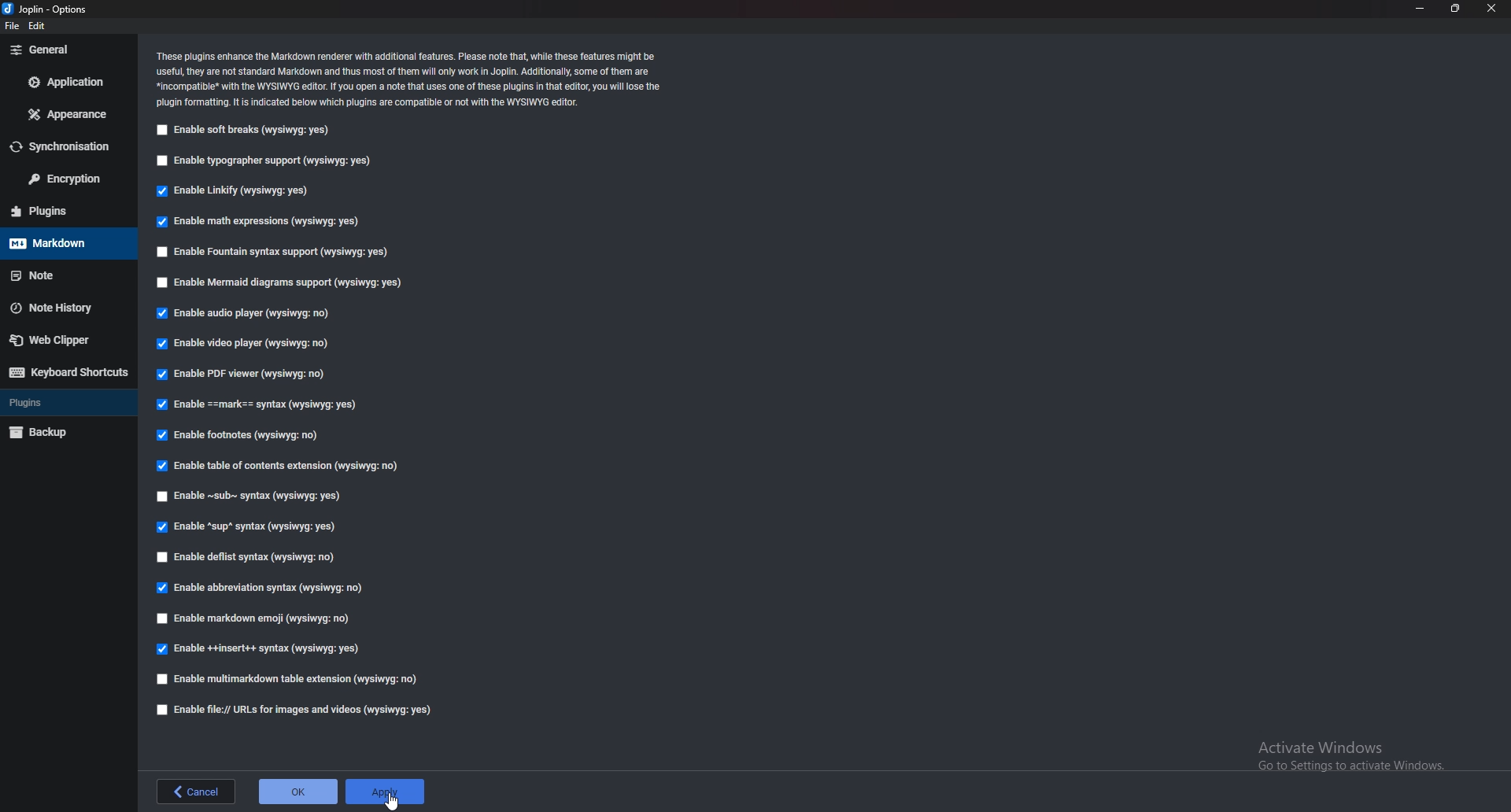  I want to click on enable Mark Syntax, so click(263, 404).